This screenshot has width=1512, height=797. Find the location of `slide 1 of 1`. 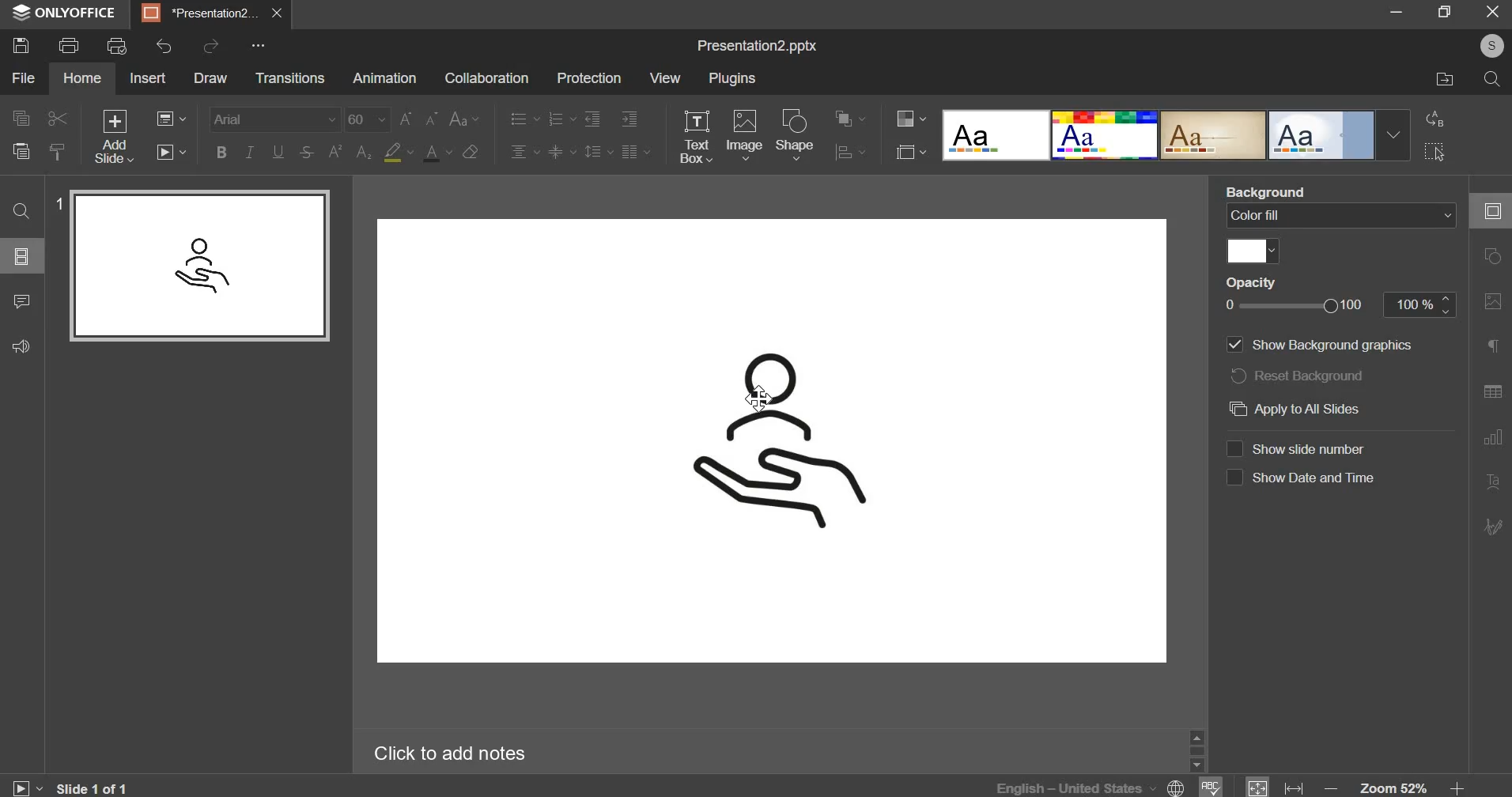

slide 1 of 1 is located at coordinates (71, 786).